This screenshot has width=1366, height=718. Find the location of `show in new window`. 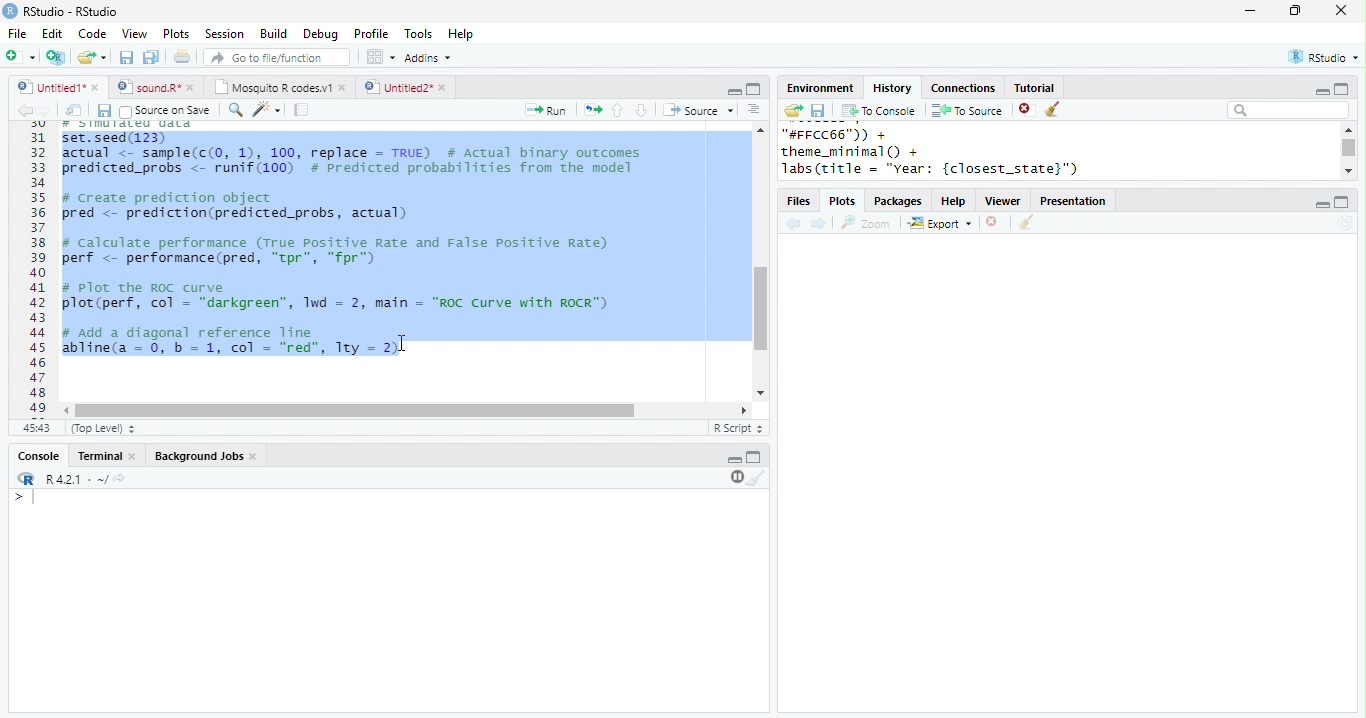

show in new window is located at coordinates (75, 110).